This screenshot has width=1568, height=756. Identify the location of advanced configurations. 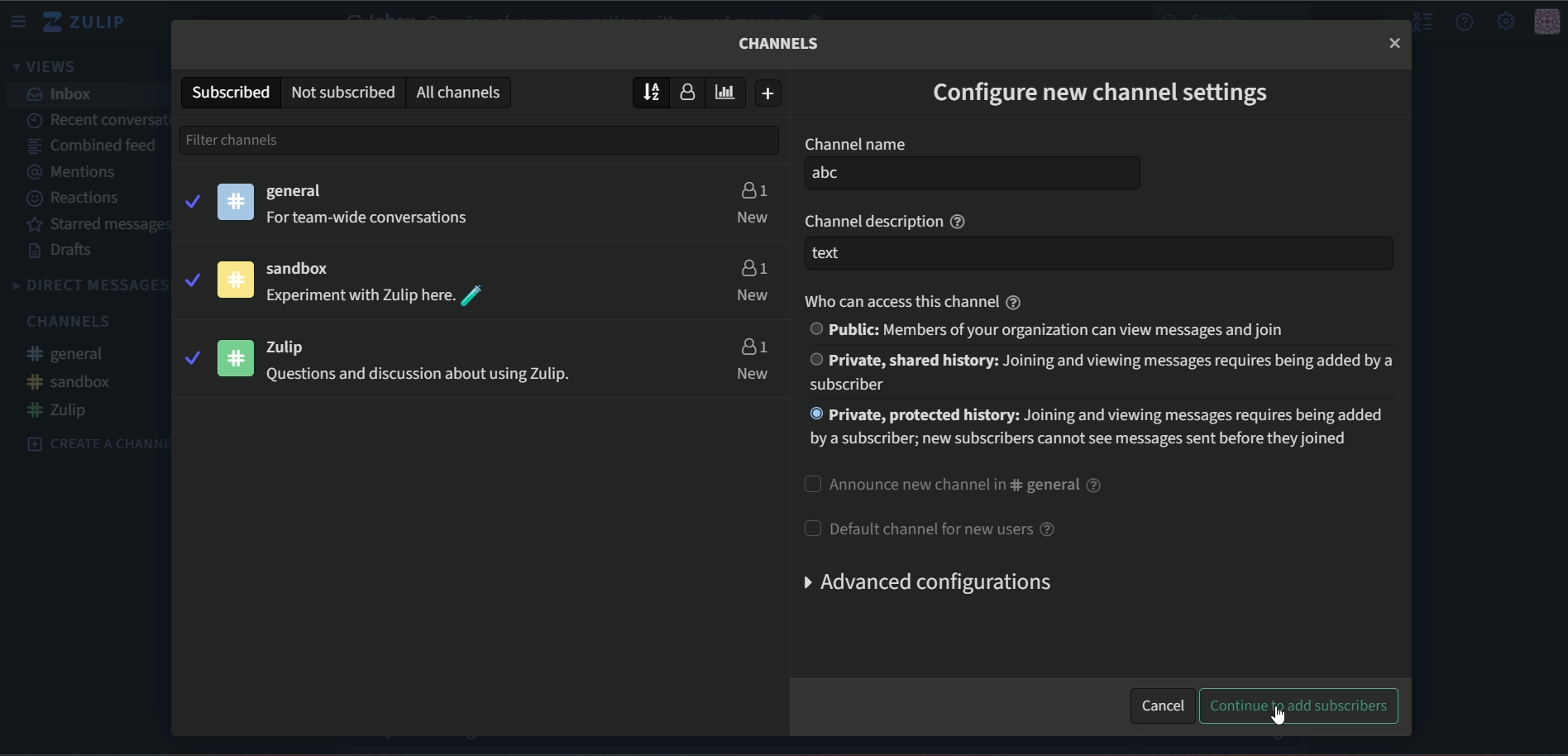
(923, 582).